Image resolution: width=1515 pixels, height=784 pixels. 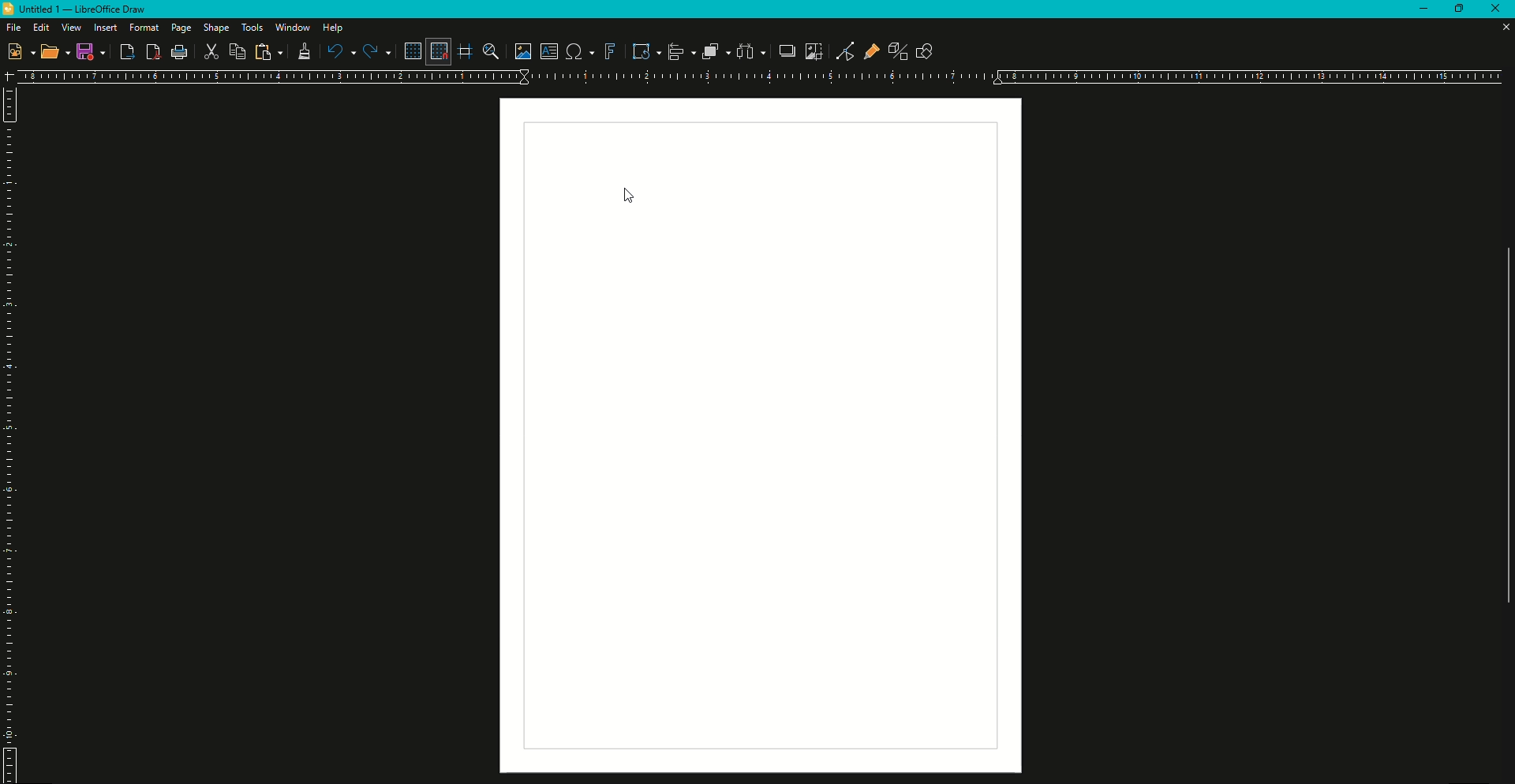 I want to click on Clone Formatting, so click(x=306, y=50).